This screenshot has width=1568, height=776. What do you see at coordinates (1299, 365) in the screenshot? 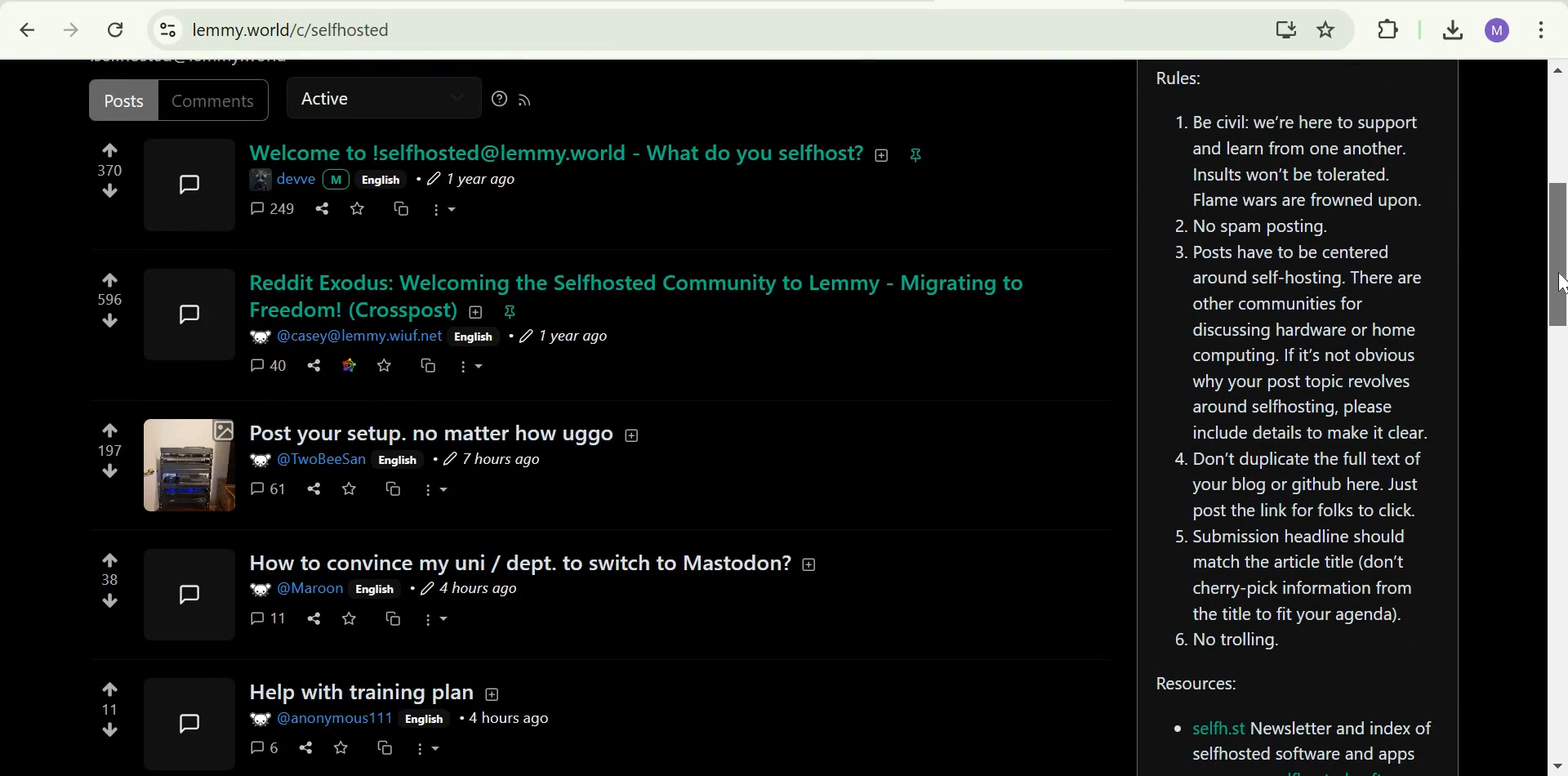
I see `Community rules` at bounding box center [1299, 365].